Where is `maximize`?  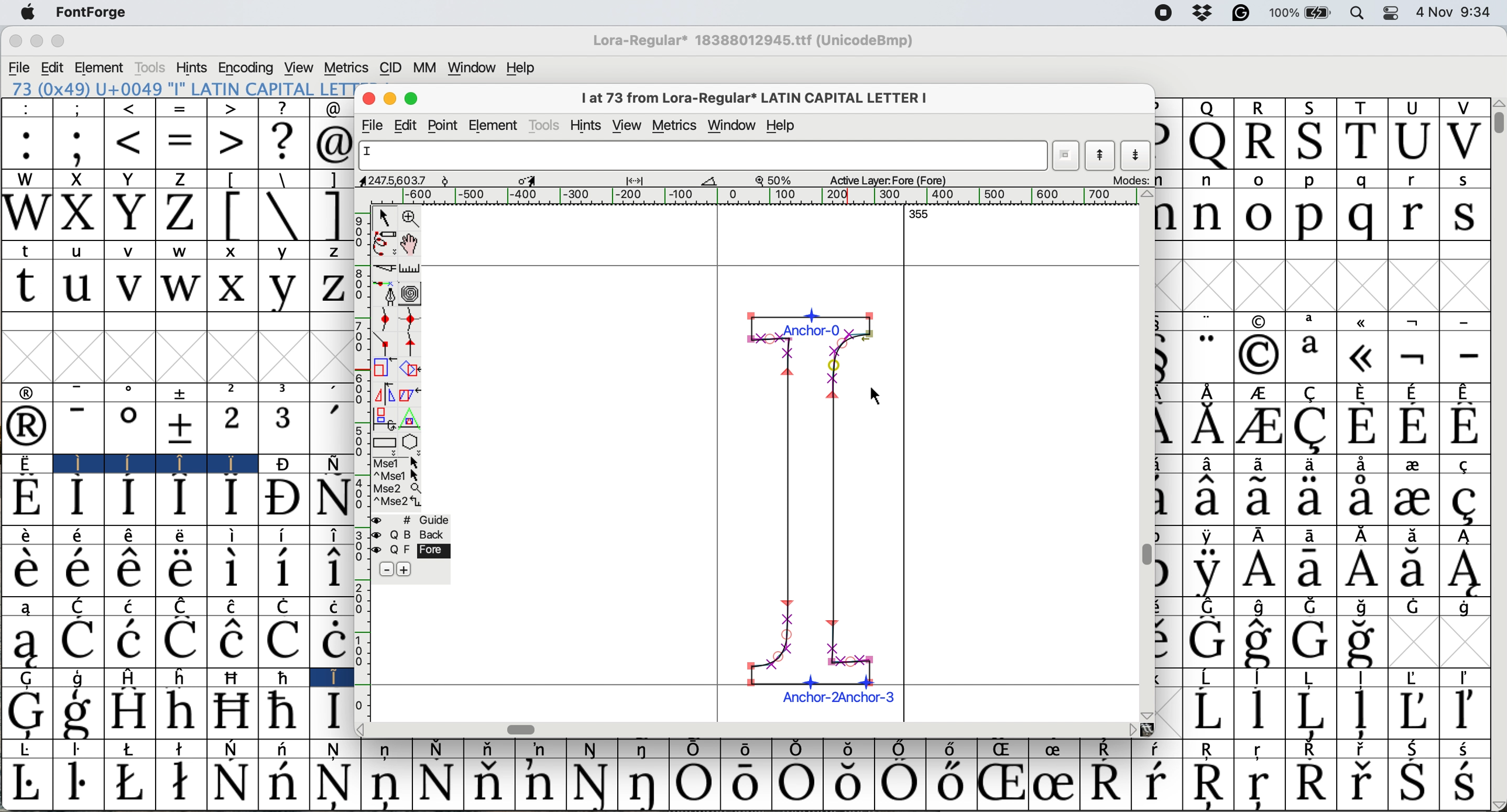
maximize is located at coordinates (59, 41).